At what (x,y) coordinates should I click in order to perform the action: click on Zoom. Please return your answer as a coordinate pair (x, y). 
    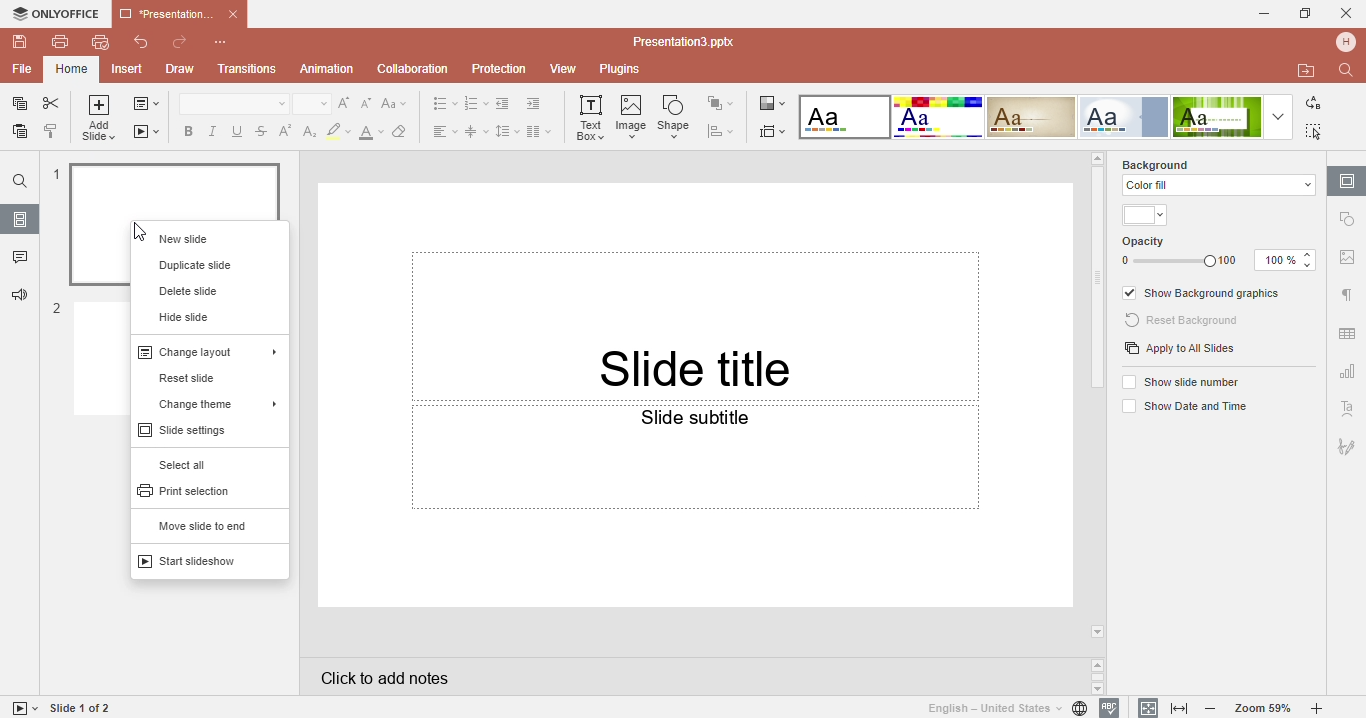
    Looking at the image, I should click on (1264, 708).